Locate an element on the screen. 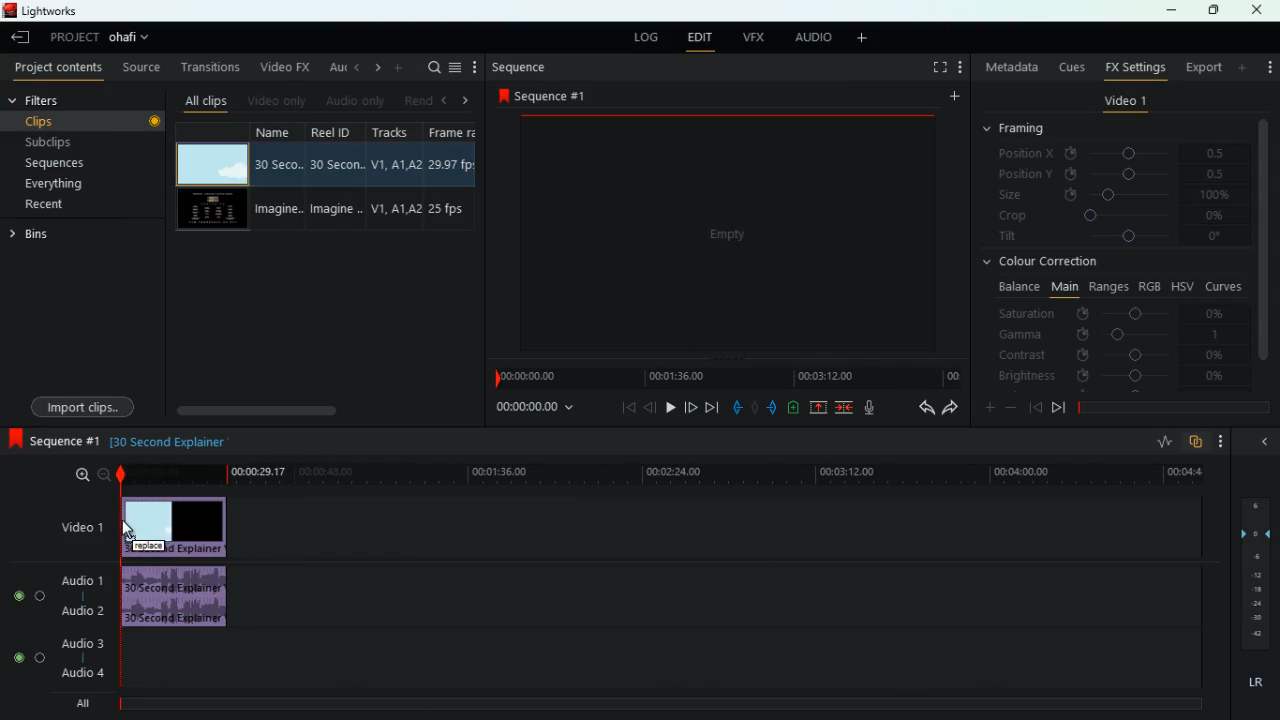  forward is located at coordinates (711, 408).